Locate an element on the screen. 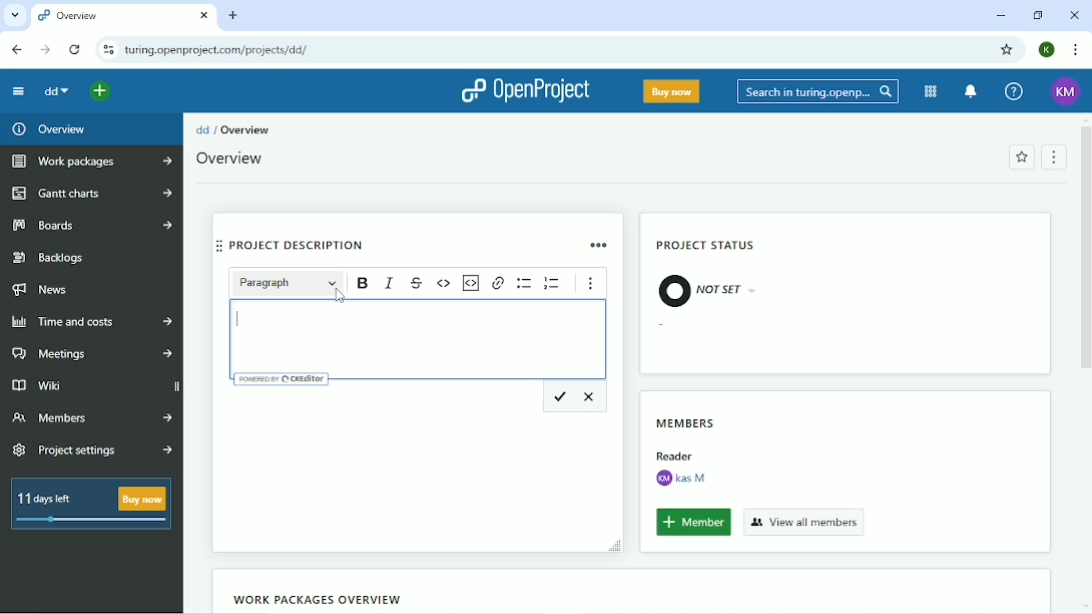 The height and width of the screenshot is (614, 1092). Collapse project menu is located at coordinates (18, 91).